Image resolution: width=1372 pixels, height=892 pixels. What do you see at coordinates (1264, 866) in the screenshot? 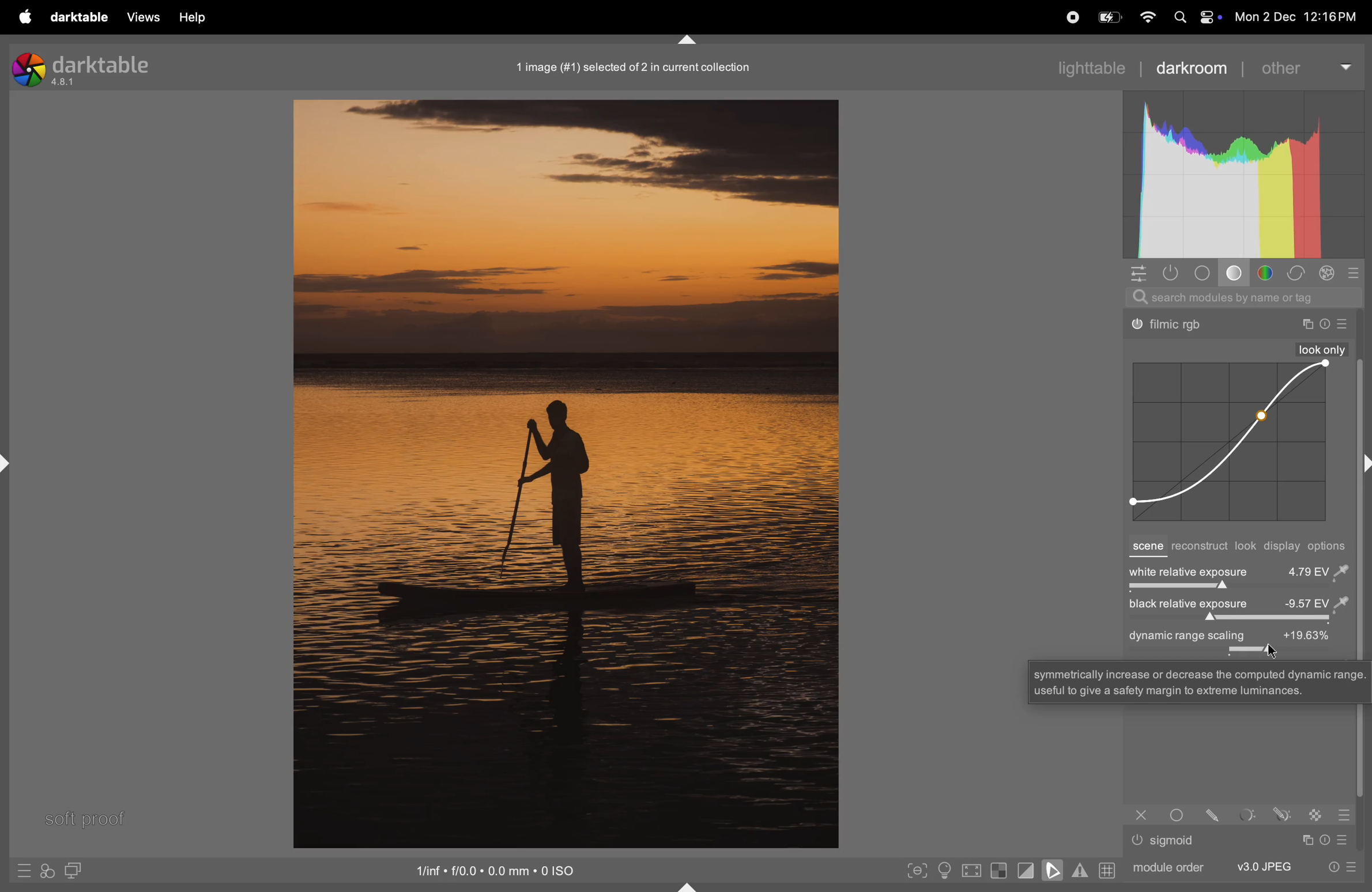
I see `v3 jpeg` at bounding box center [1264, 866].